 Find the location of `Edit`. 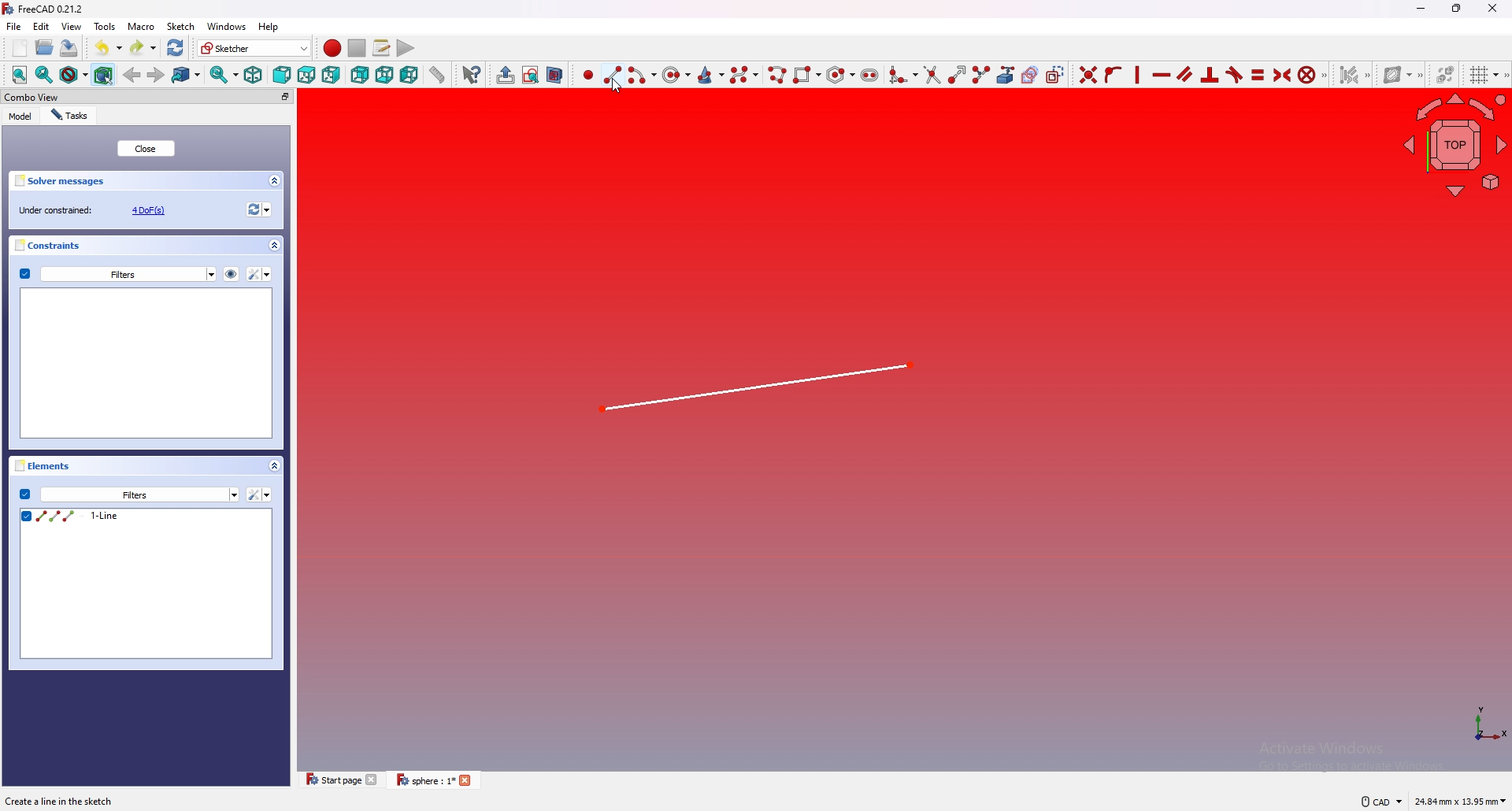

Edit is located at coordinates (42, 28).